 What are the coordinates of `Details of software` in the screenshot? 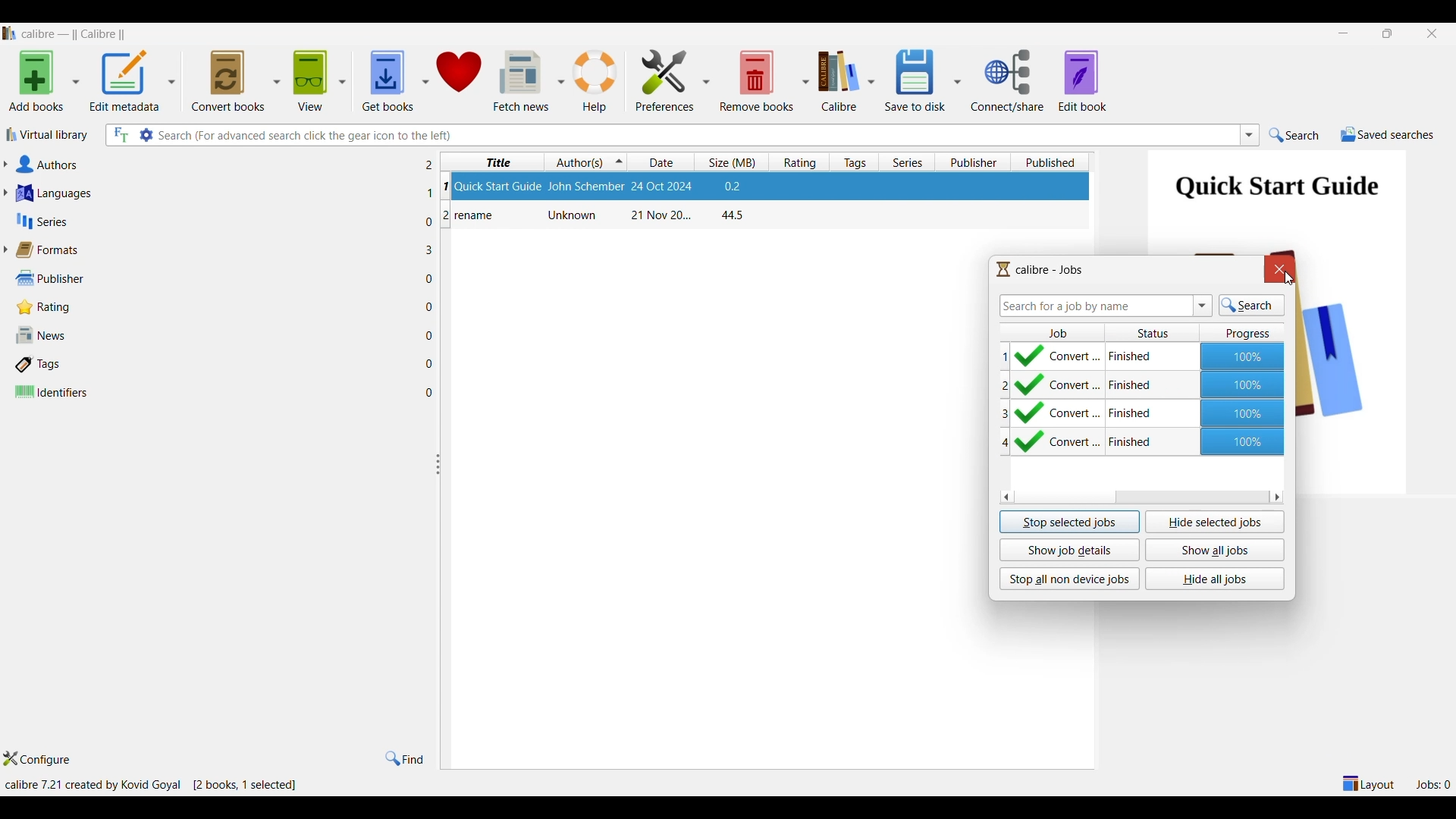 It's located at (151, 784).